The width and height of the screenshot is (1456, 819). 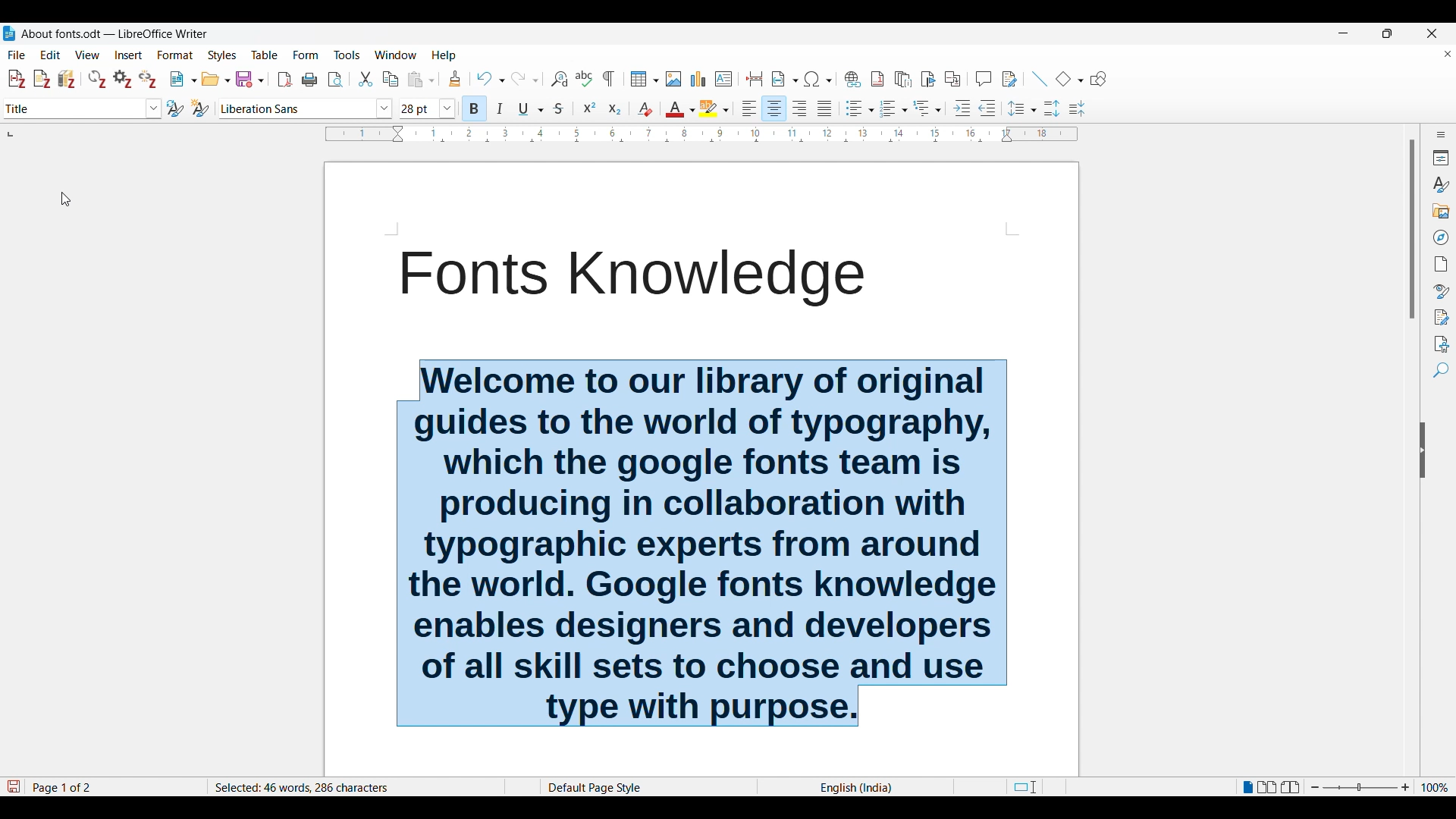 What do you see at coordinates (1022, 108) in the screenshot?
I see `Set line spacing` at bounding box center [1022, 108].